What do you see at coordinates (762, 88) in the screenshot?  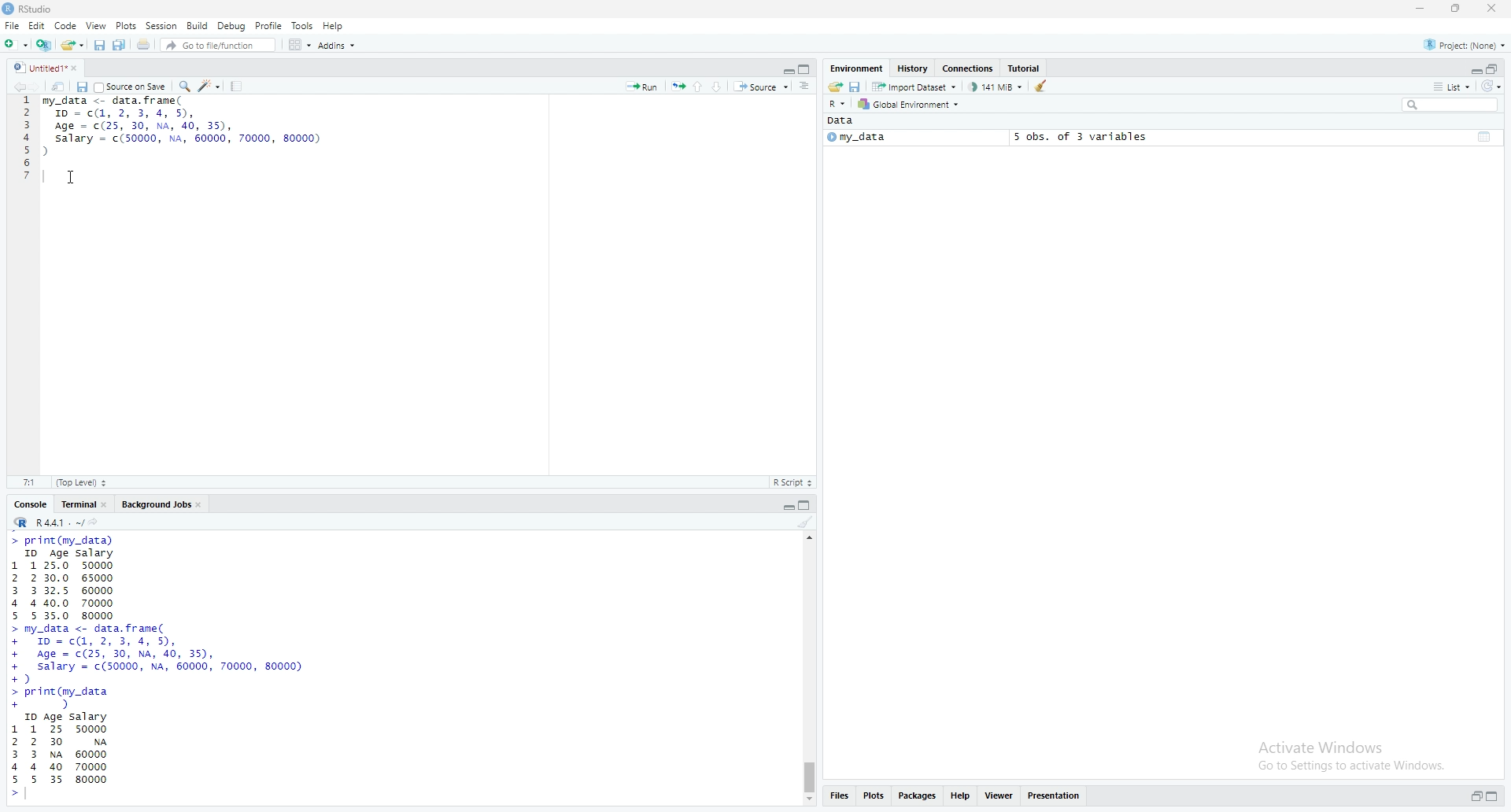 I see `source` at bounding box center [762, 88].